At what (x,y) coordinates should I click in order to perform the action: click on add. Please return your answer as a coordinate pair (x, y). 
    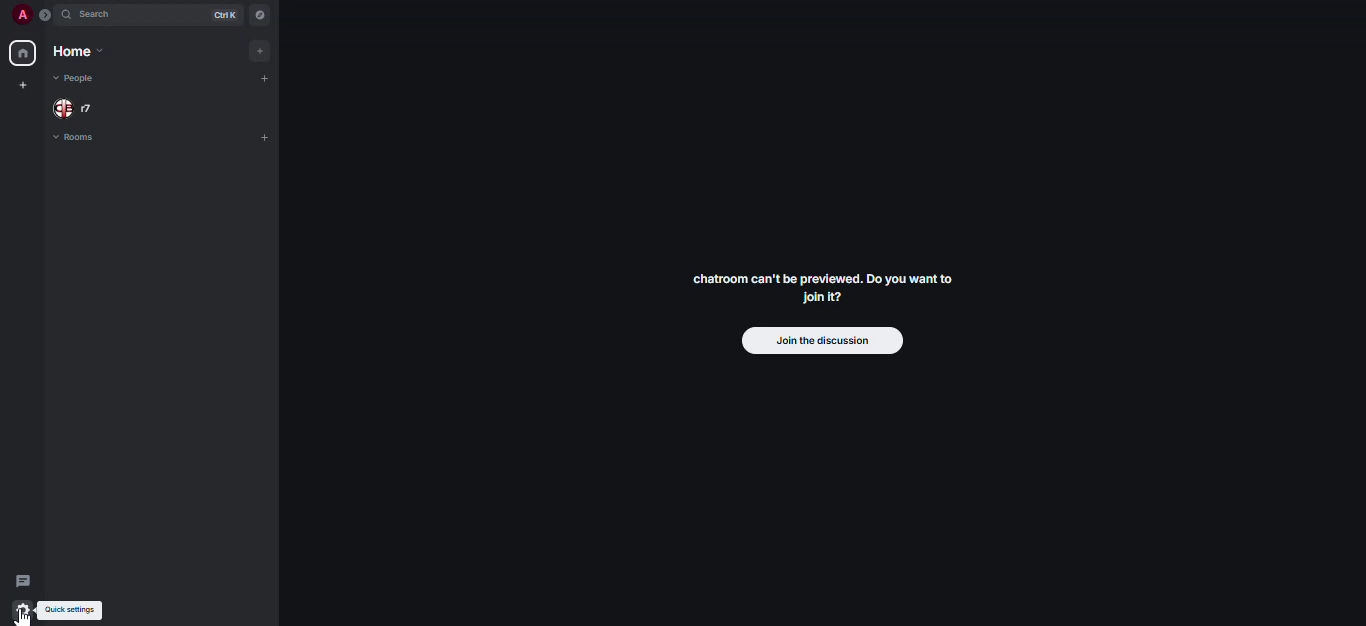
    Looking at the image, I should click on (266, 136).